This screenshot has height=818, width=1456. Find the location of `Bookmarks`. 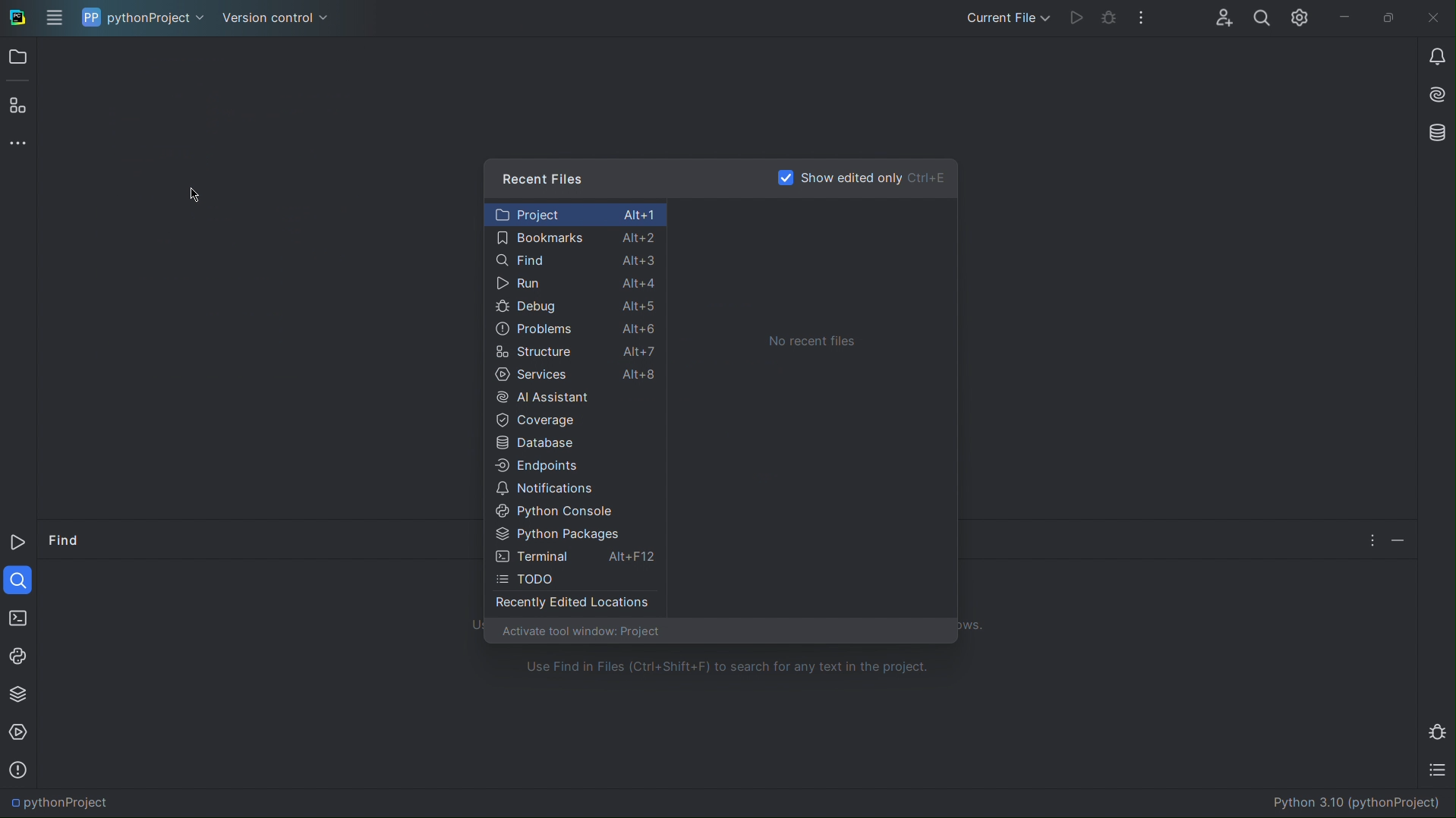

Bookmarks is located at coordinates (575, 239).